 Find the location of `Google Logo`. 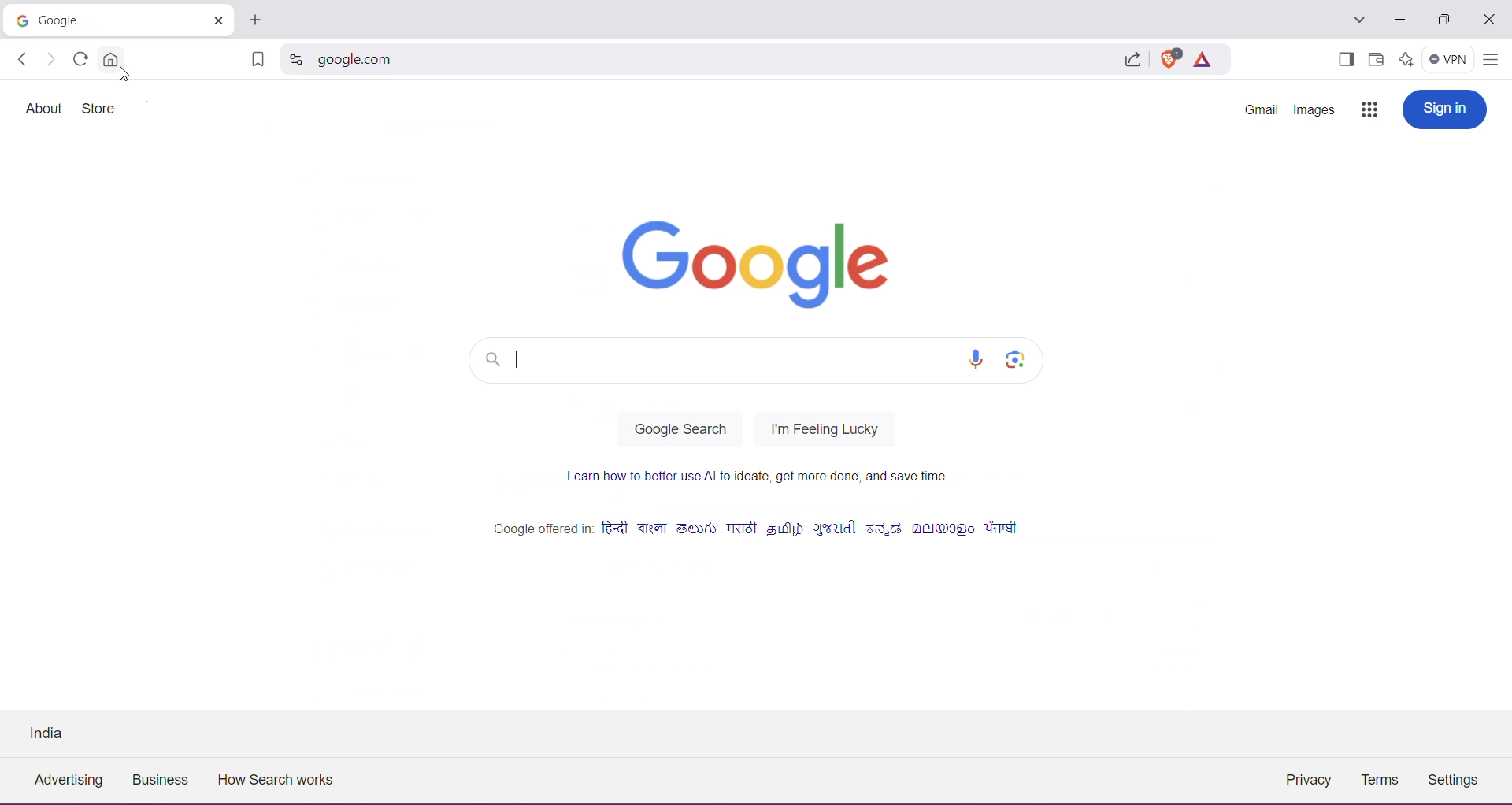

Google Logo is located at coordinates (744, 258).